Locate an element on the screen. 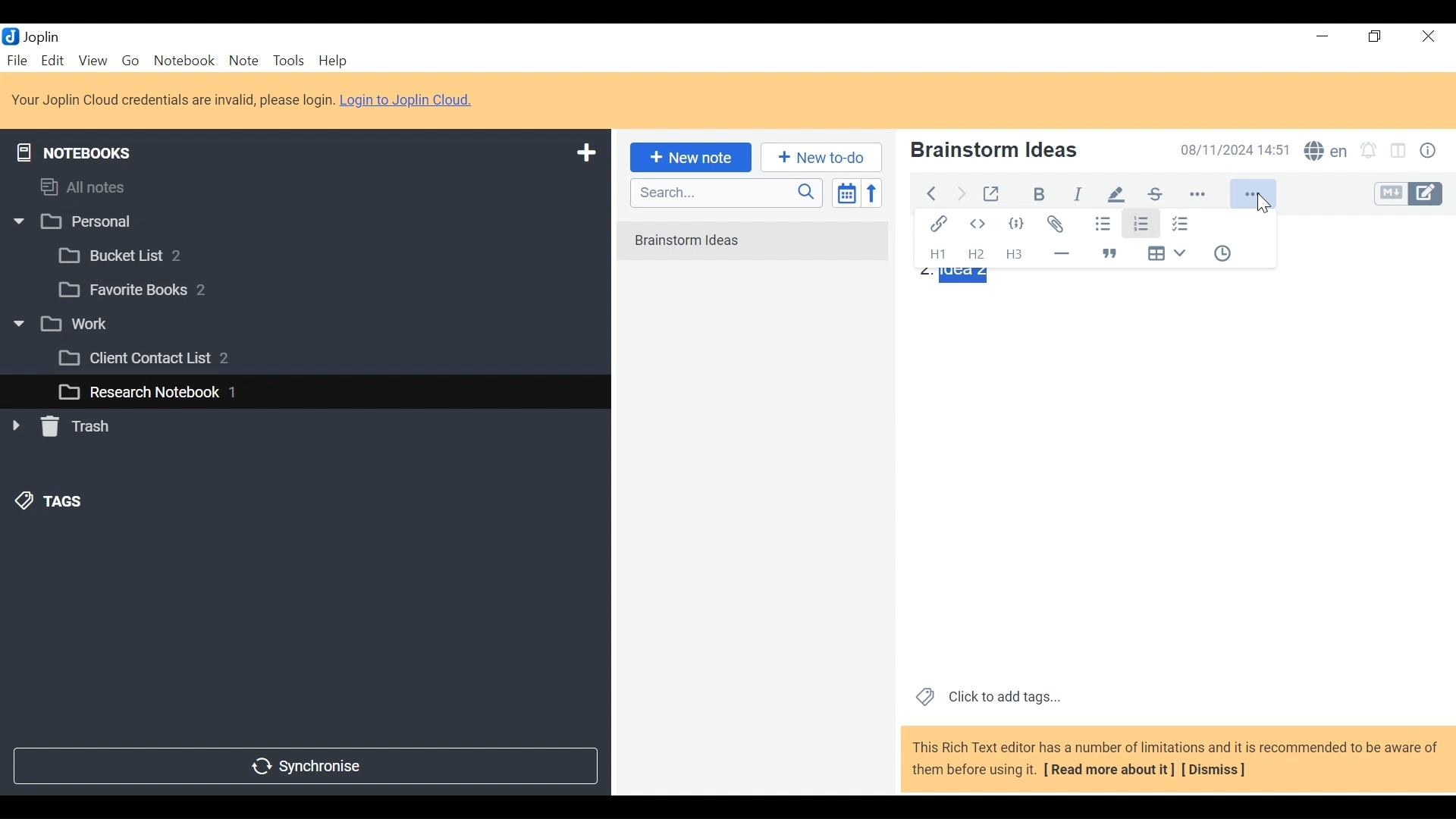  Note properties is located at coordinates (1431, 152).